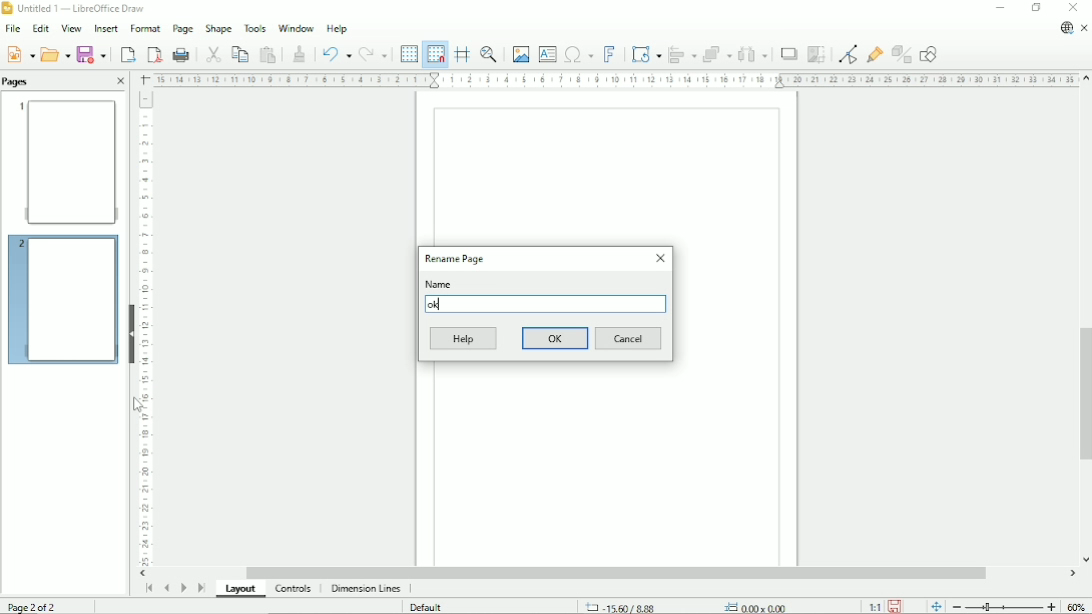  What do you see at coordinates (816, 54) in the screenshot?
I see `Crop image` at bounding box center [816, 54].